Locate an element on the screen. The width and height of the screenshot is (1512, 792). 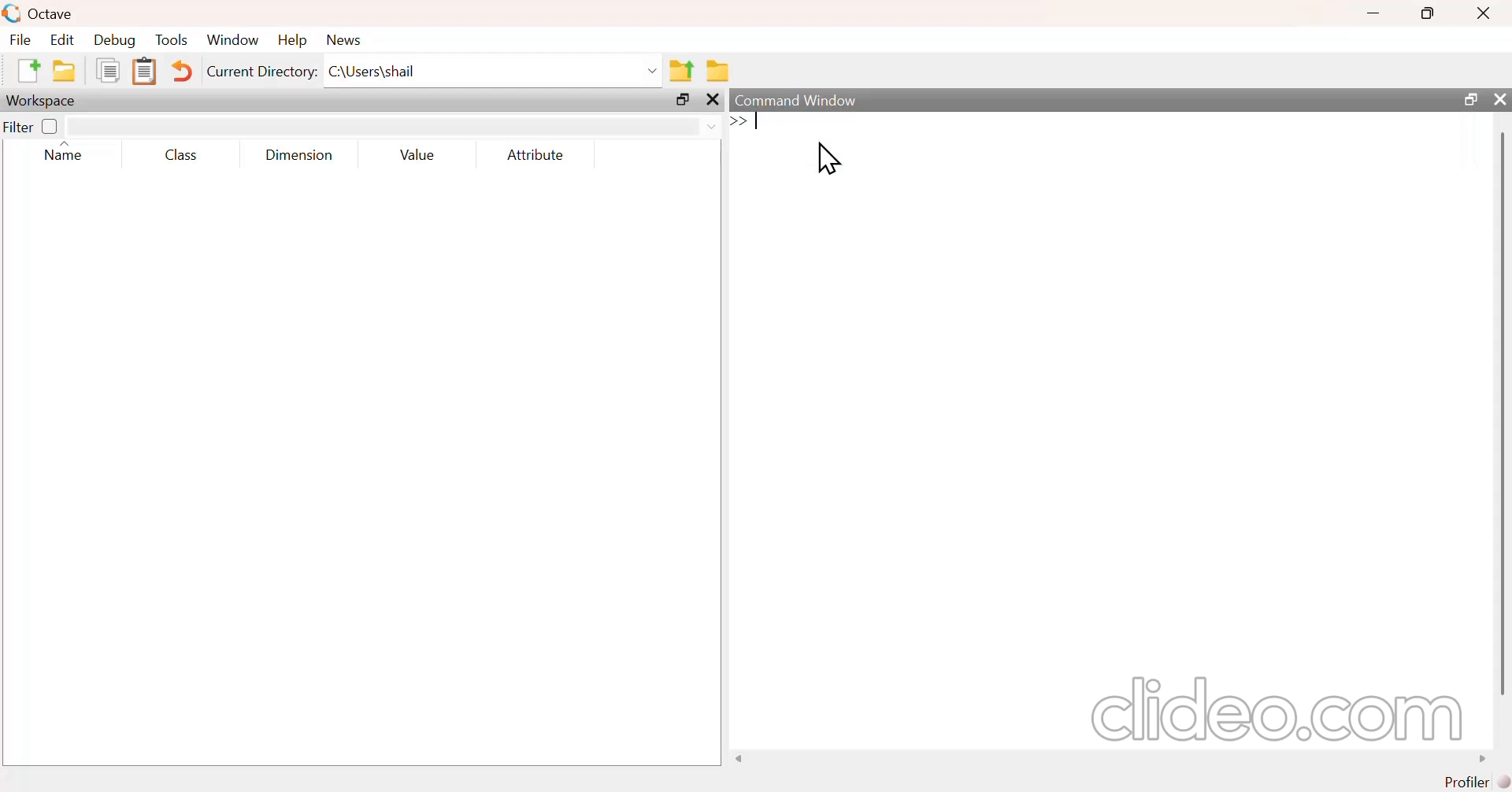
paste is located at coordinates (146, 69).